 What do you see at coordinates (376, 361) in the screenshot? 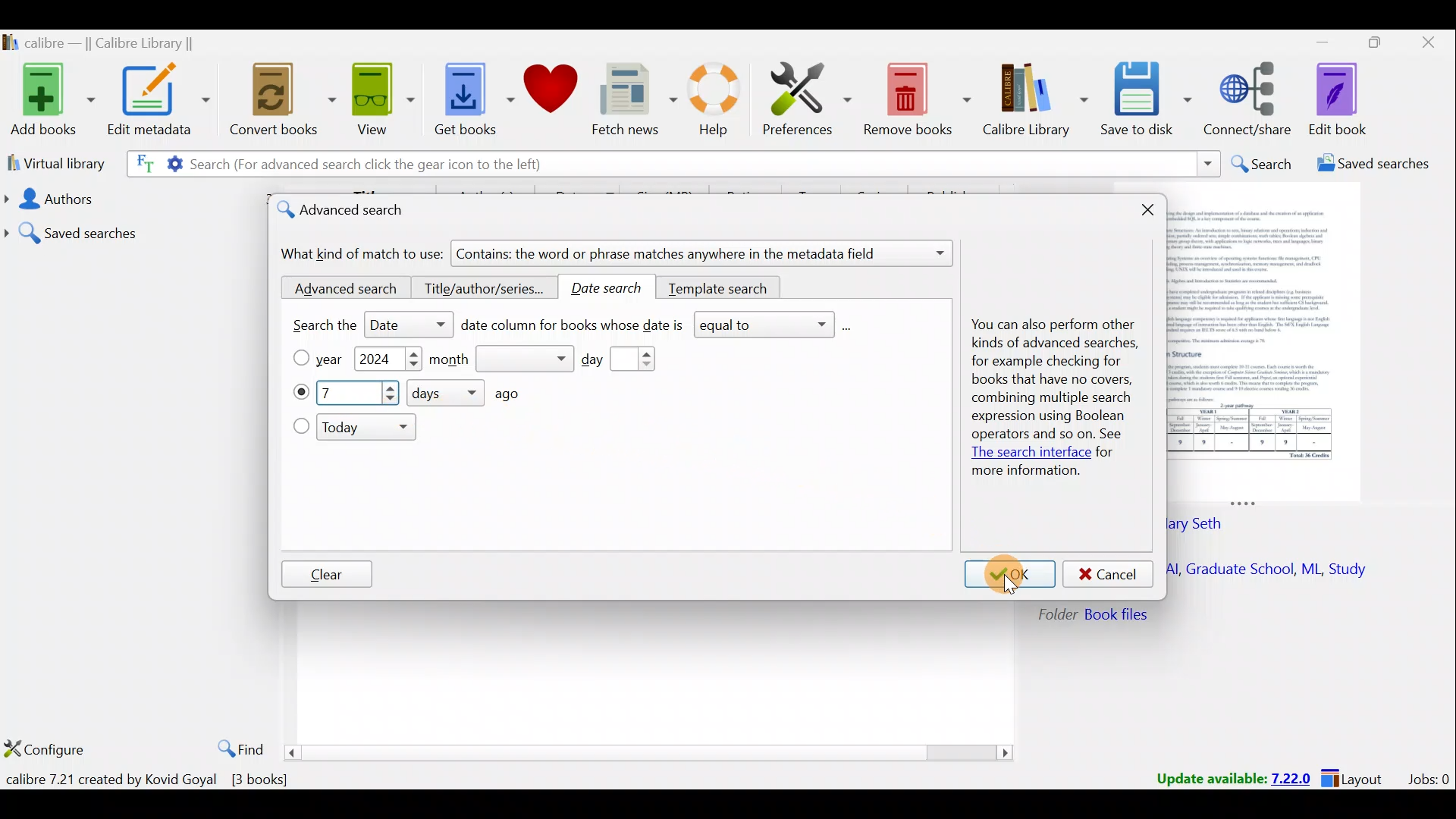
I see `2024` at bounding box center [376, 361].